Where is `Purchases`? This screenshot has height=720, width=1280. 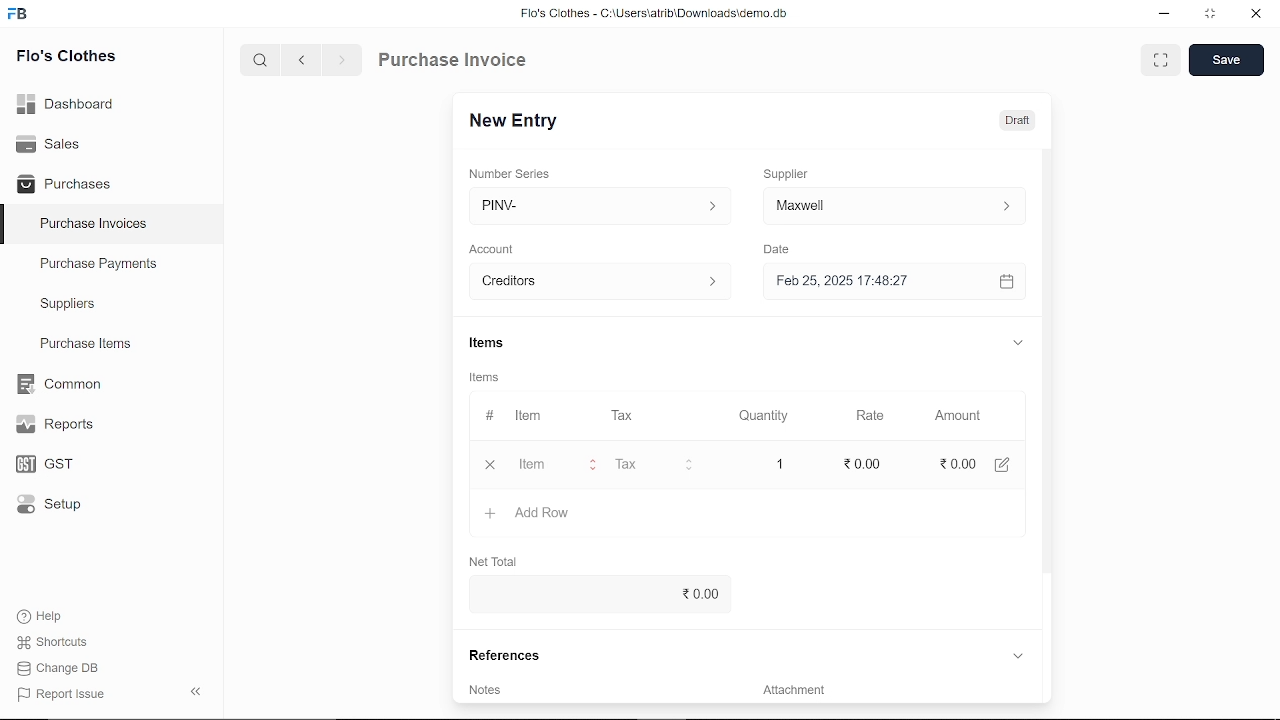
Purchases is located at coordinates (64, 182).